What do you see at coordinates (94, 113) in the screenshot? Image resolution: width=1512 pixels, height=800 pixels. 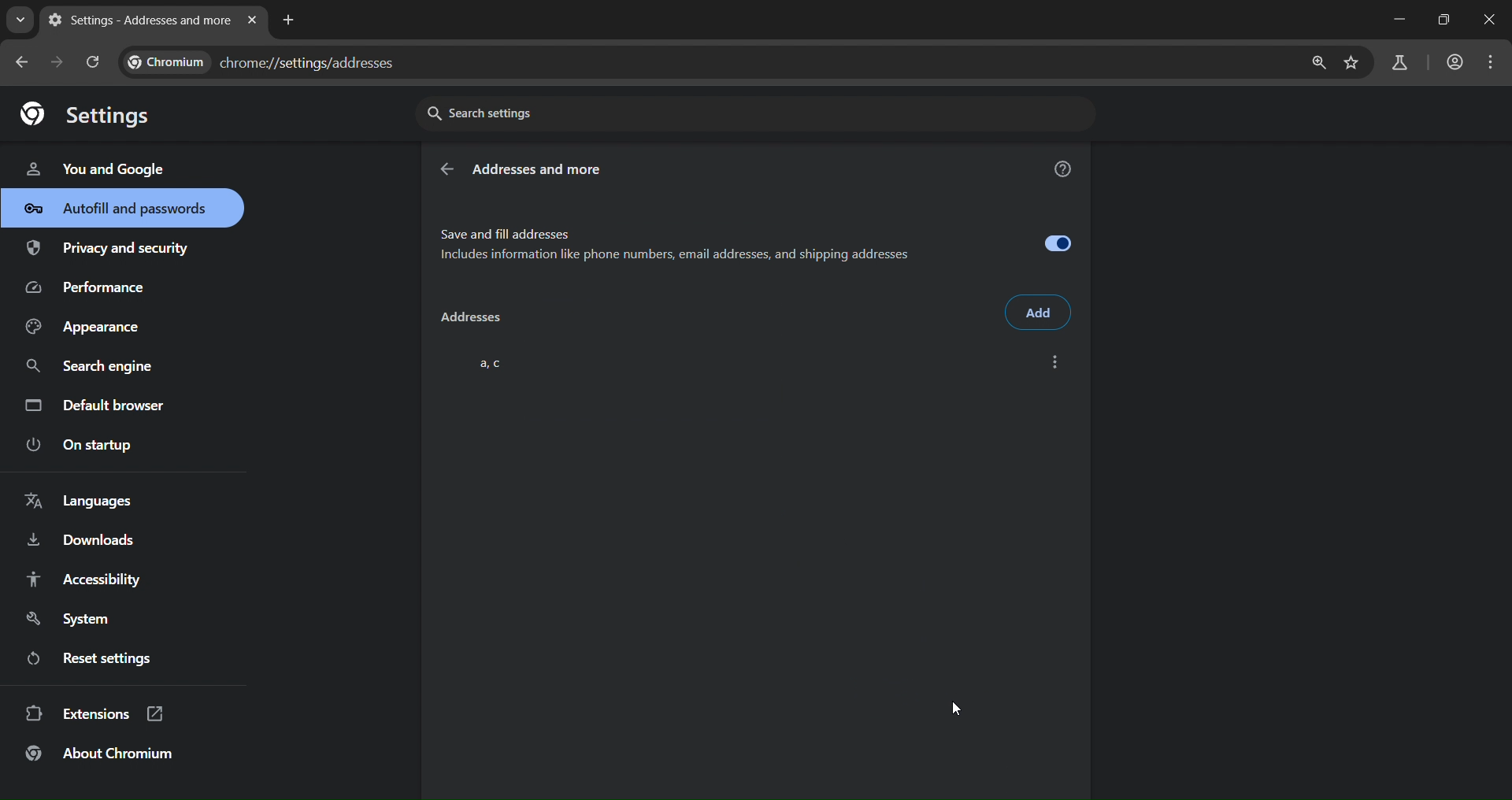 I see `settings` at bounding box center [94, 113].